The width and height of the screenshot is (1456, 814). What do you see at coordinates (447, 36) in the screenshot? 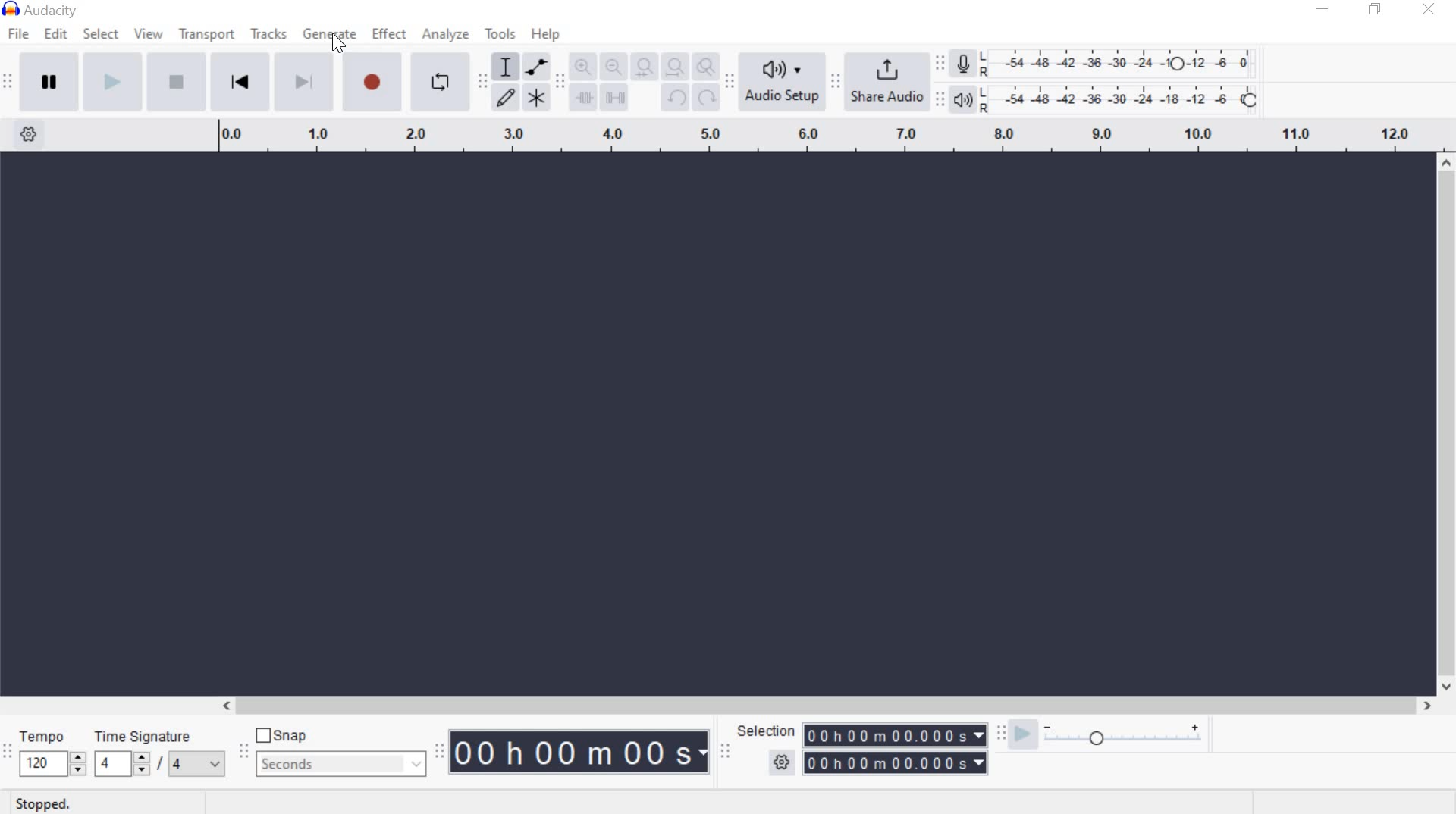
I see `analyze` at bounding box center [447, 36].